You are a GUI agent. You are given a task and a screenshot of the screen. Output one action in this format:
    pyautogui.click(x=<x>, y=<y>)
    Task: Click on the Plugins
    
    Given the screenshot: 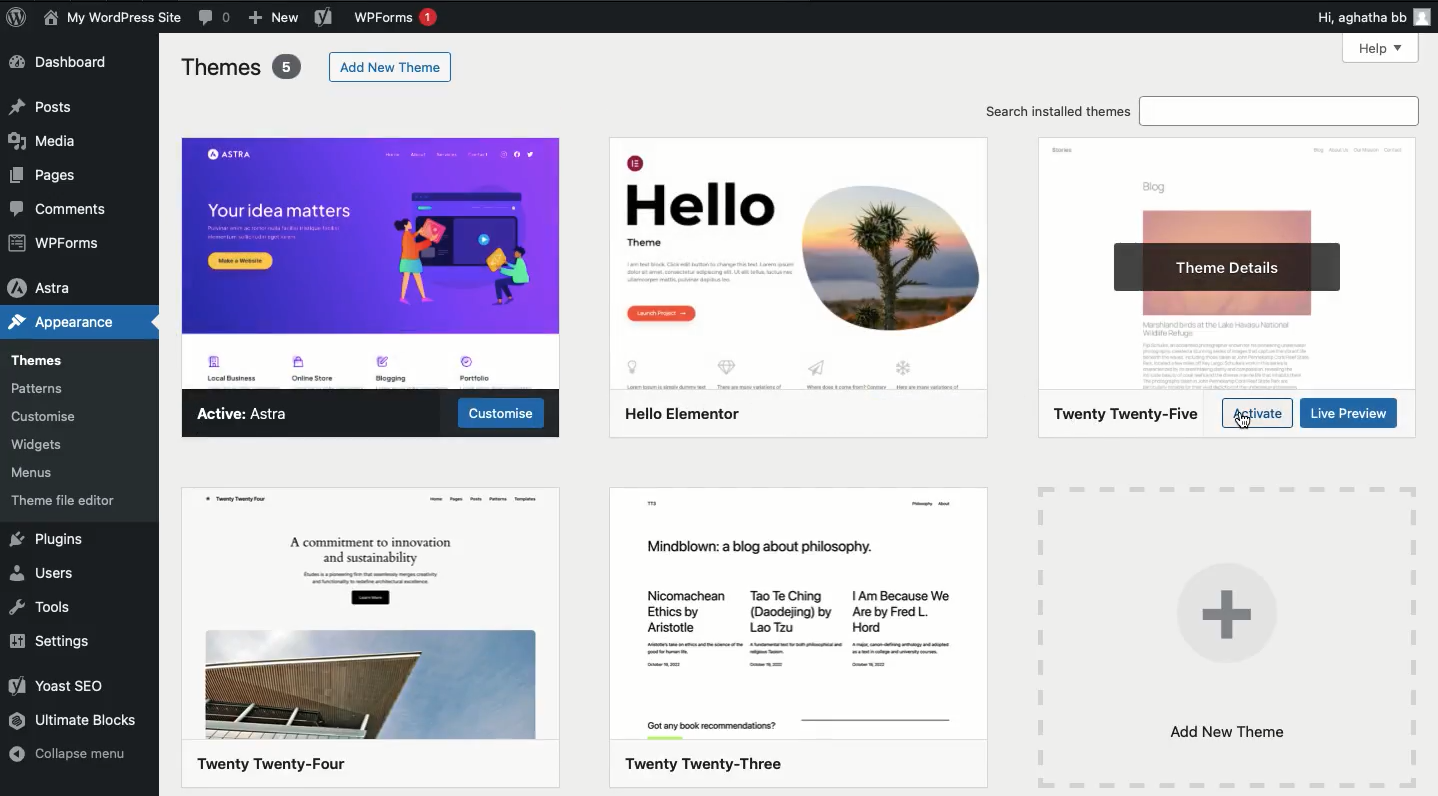 What is the action you would take?
    pyautogui.click(x=52, y=538)
    